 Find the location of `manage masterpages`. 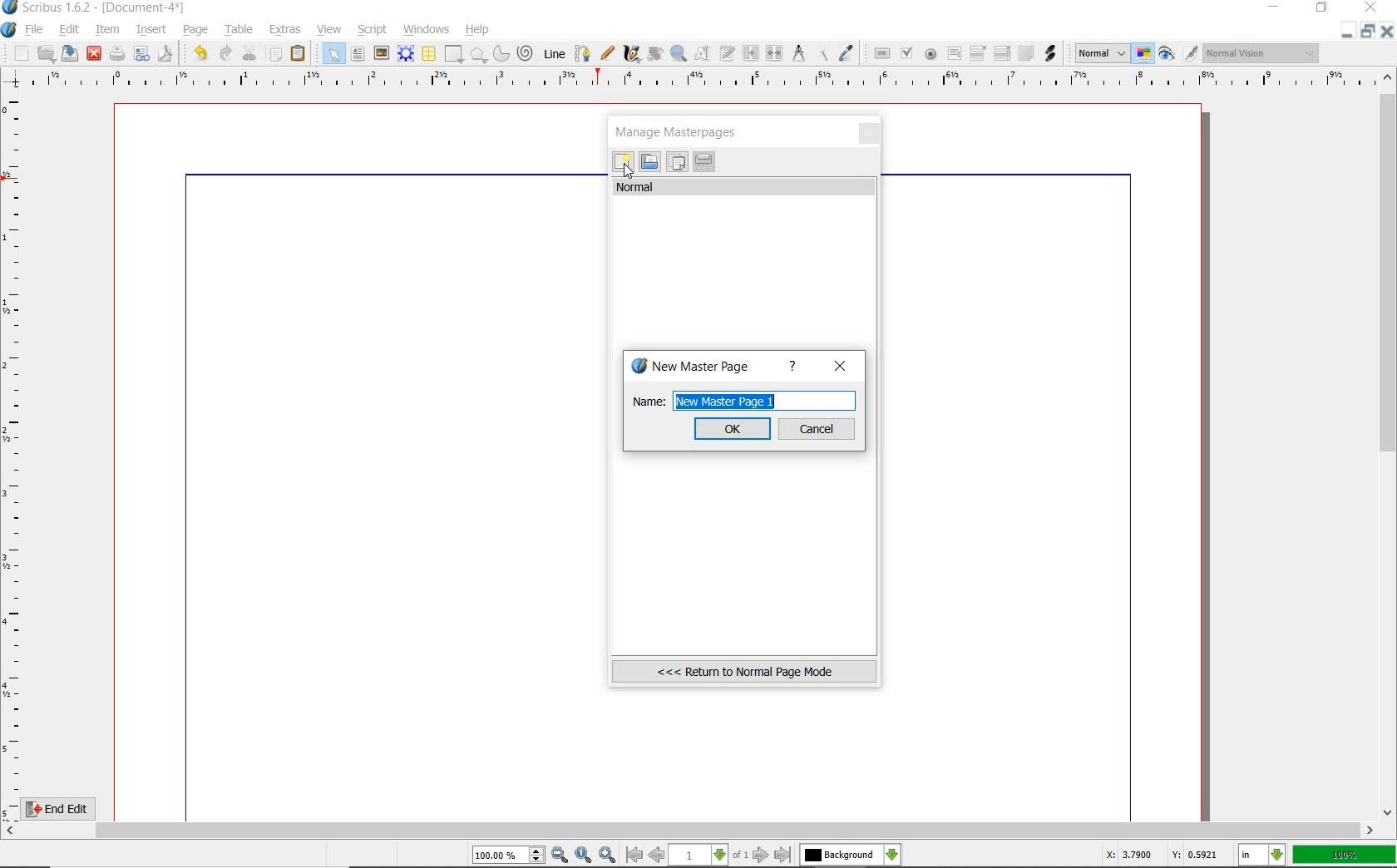

manage masterpages is located at coordinates (681, 131).